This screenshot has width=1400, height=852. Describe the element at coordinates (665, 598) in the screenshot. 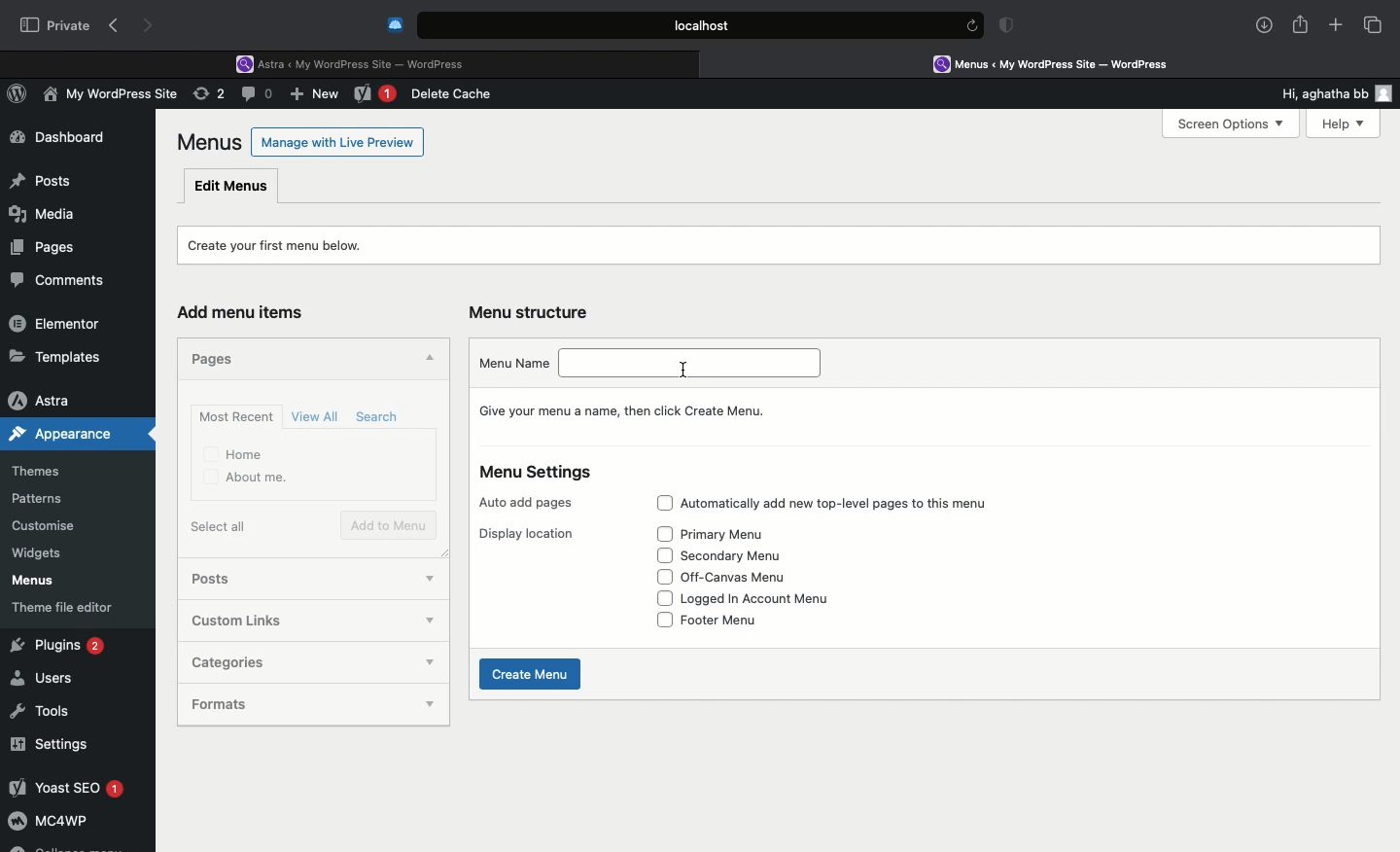

I see `Check box` at that location.